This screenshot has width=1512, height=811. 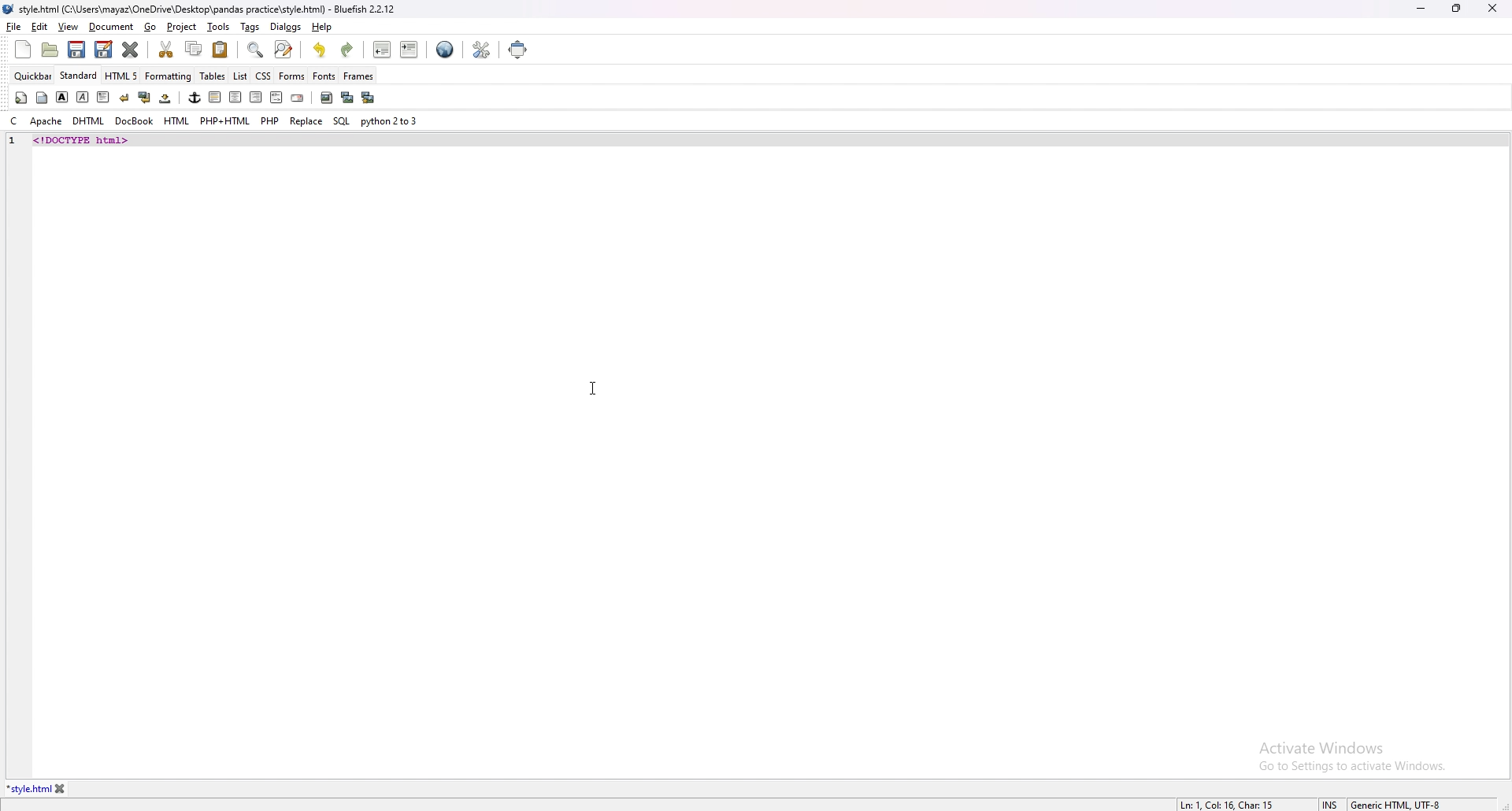 What do you see at coordinates (112, 28) in the screenshot?
I see `document` at bounding box center [112, 28].